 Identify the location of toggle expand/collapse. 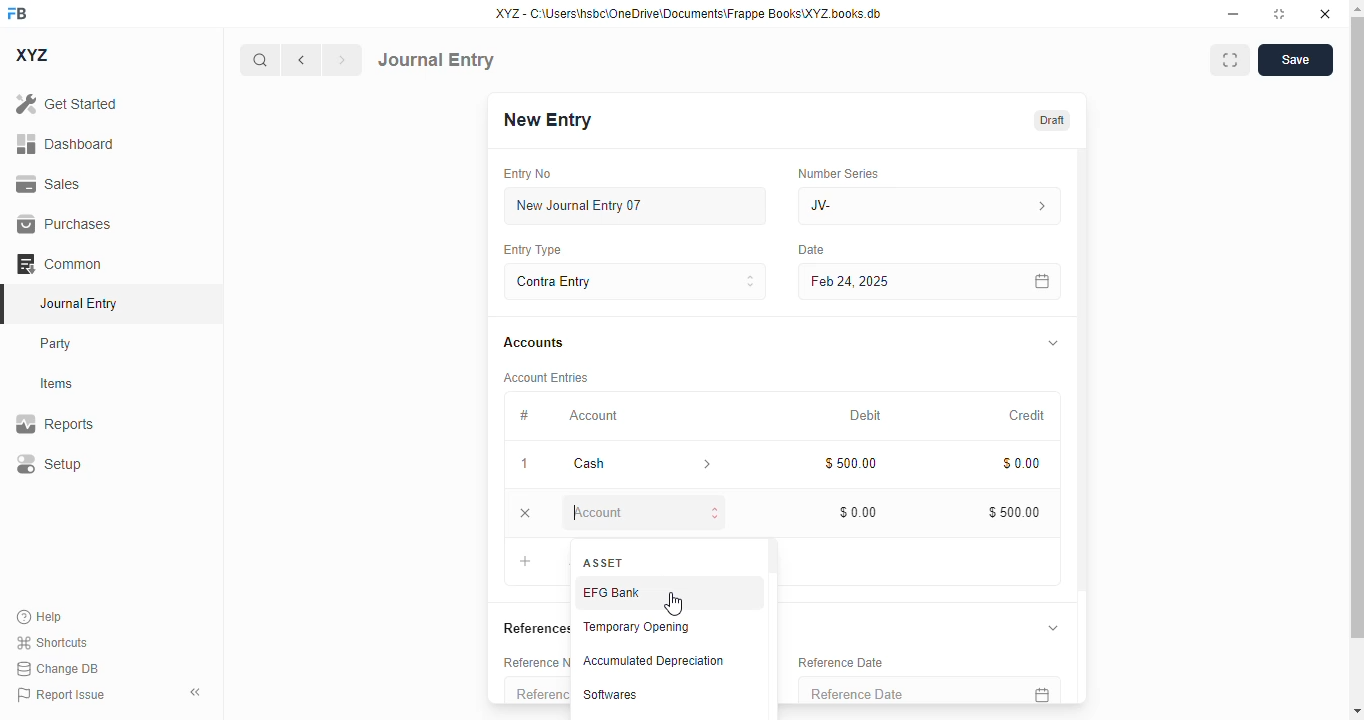
(1052, 627).